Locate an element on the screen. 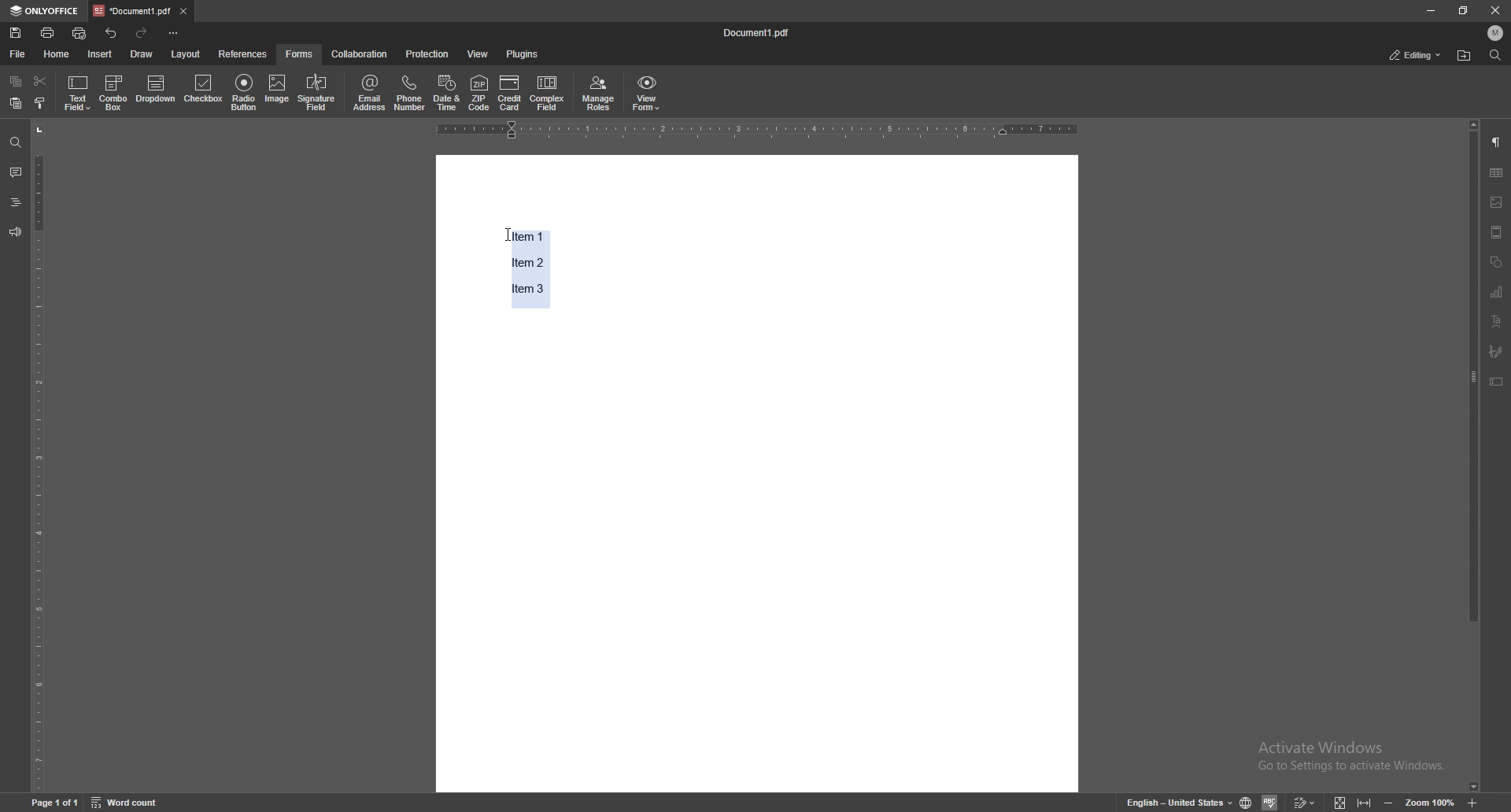 The width and height of the screenshot is (1511, 812). horizontal scale is located at coordinates (756, 131).